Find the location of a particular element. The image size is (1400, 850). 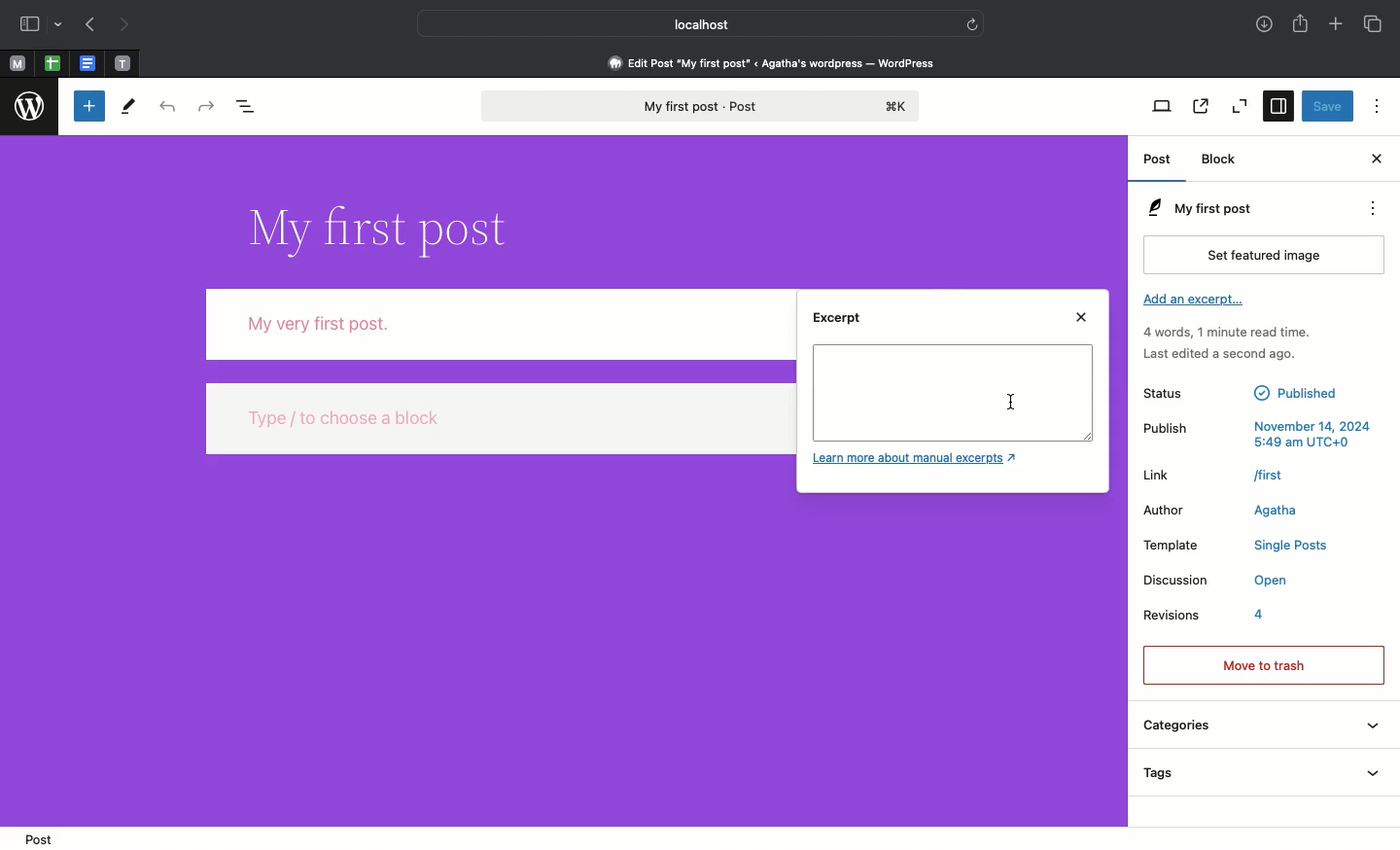

word document tab is located at coordinates (85, 62).